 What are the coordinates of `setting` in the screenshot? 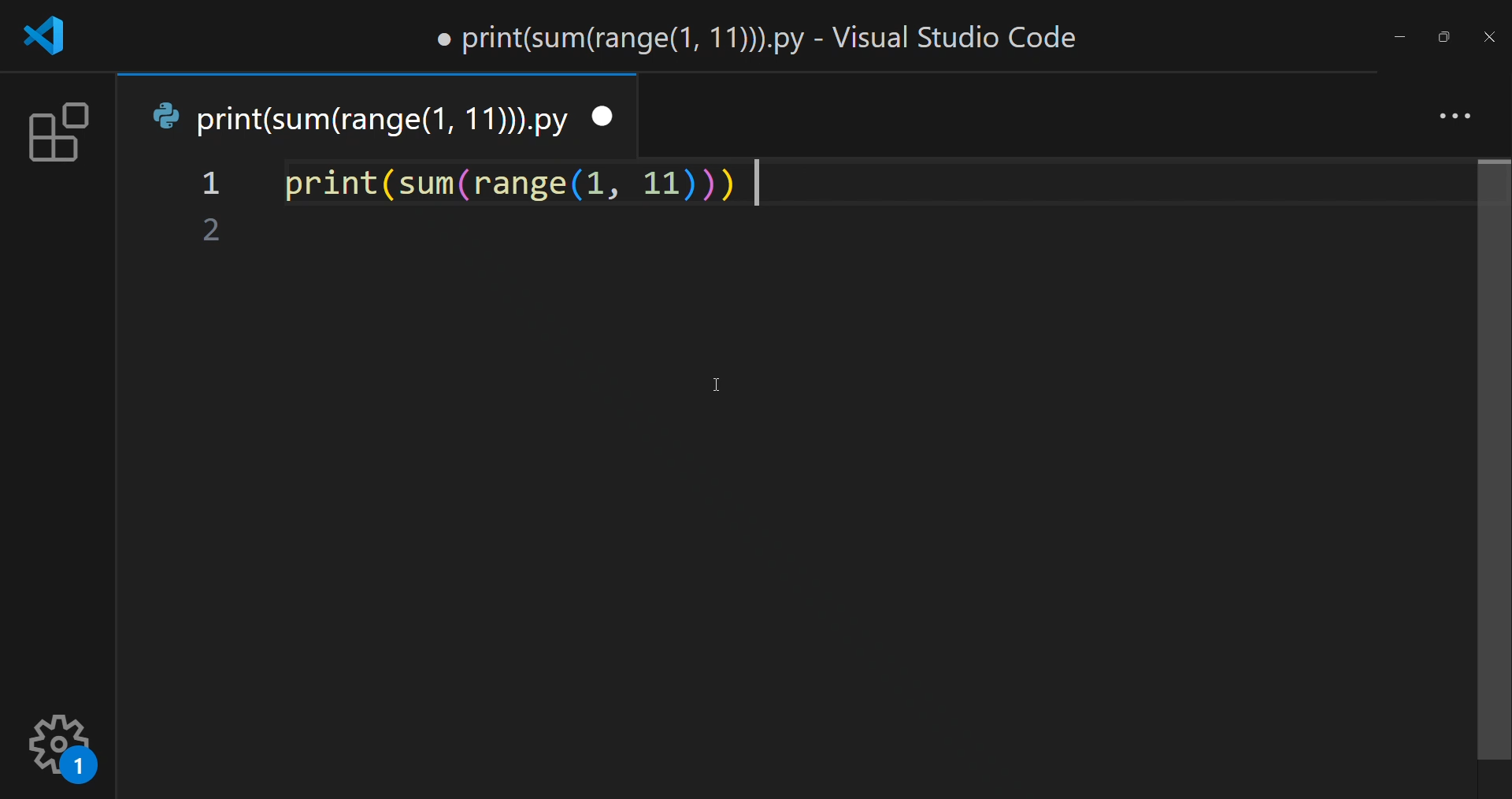 It's located at (64, 745).